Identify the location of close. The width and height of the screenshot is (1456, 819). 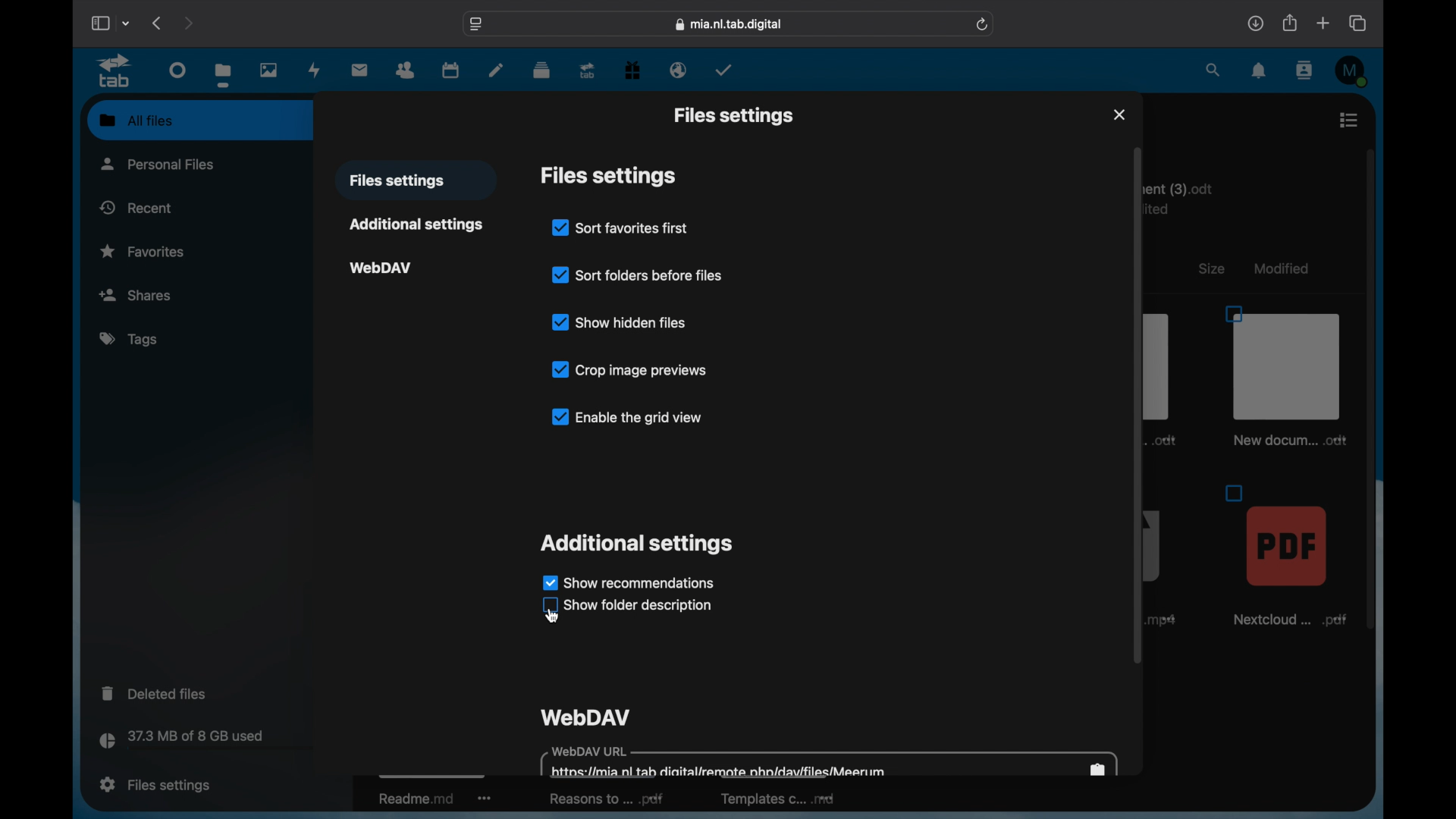
(1119, 115).